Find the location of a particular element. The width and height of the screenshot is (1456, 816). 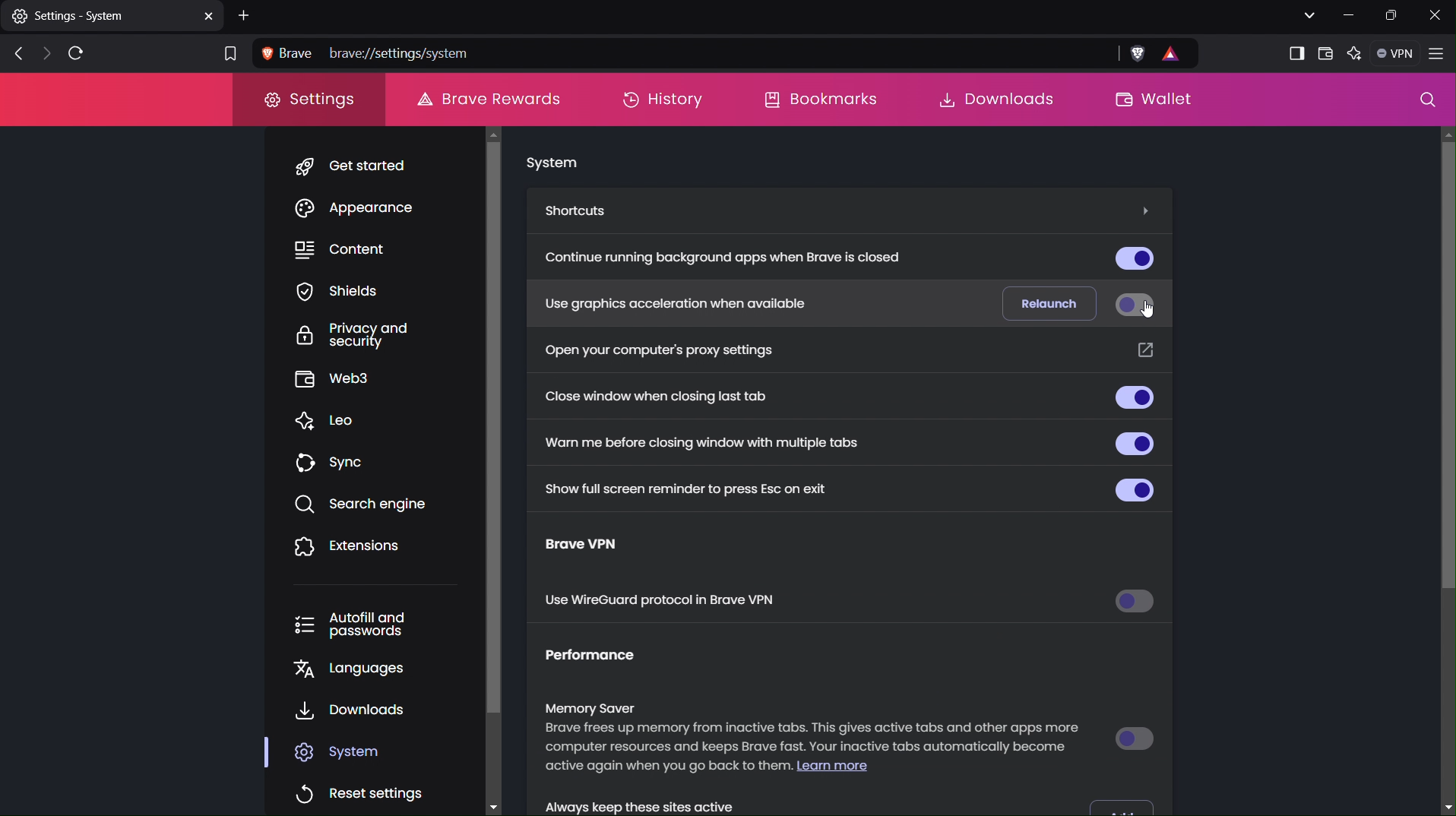

Use graphics acceleration when available is located at coordinates (671, 302).